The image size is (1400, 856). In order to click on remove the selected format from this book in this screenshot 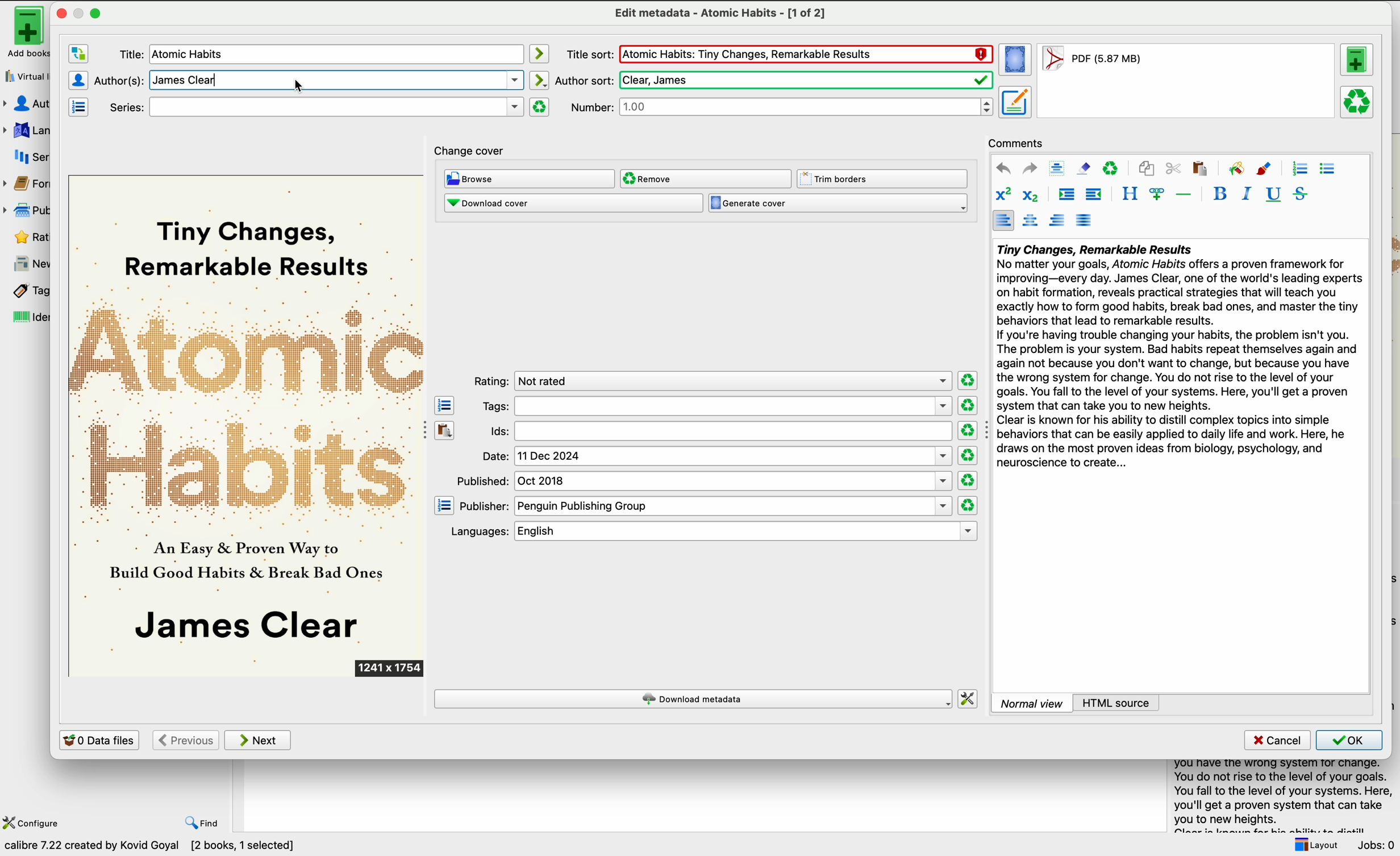, I will do `click(1358, 103)`.